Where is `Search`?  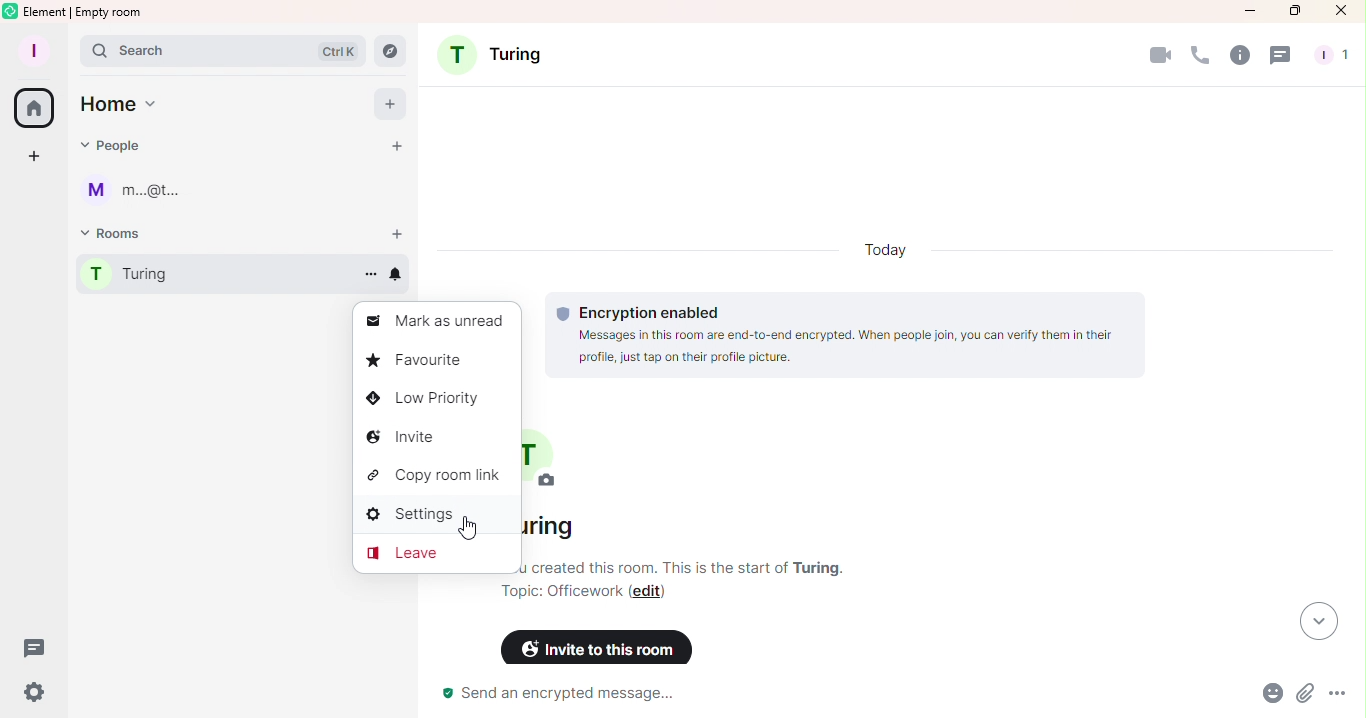 Search is located at coordinates (223, 50).